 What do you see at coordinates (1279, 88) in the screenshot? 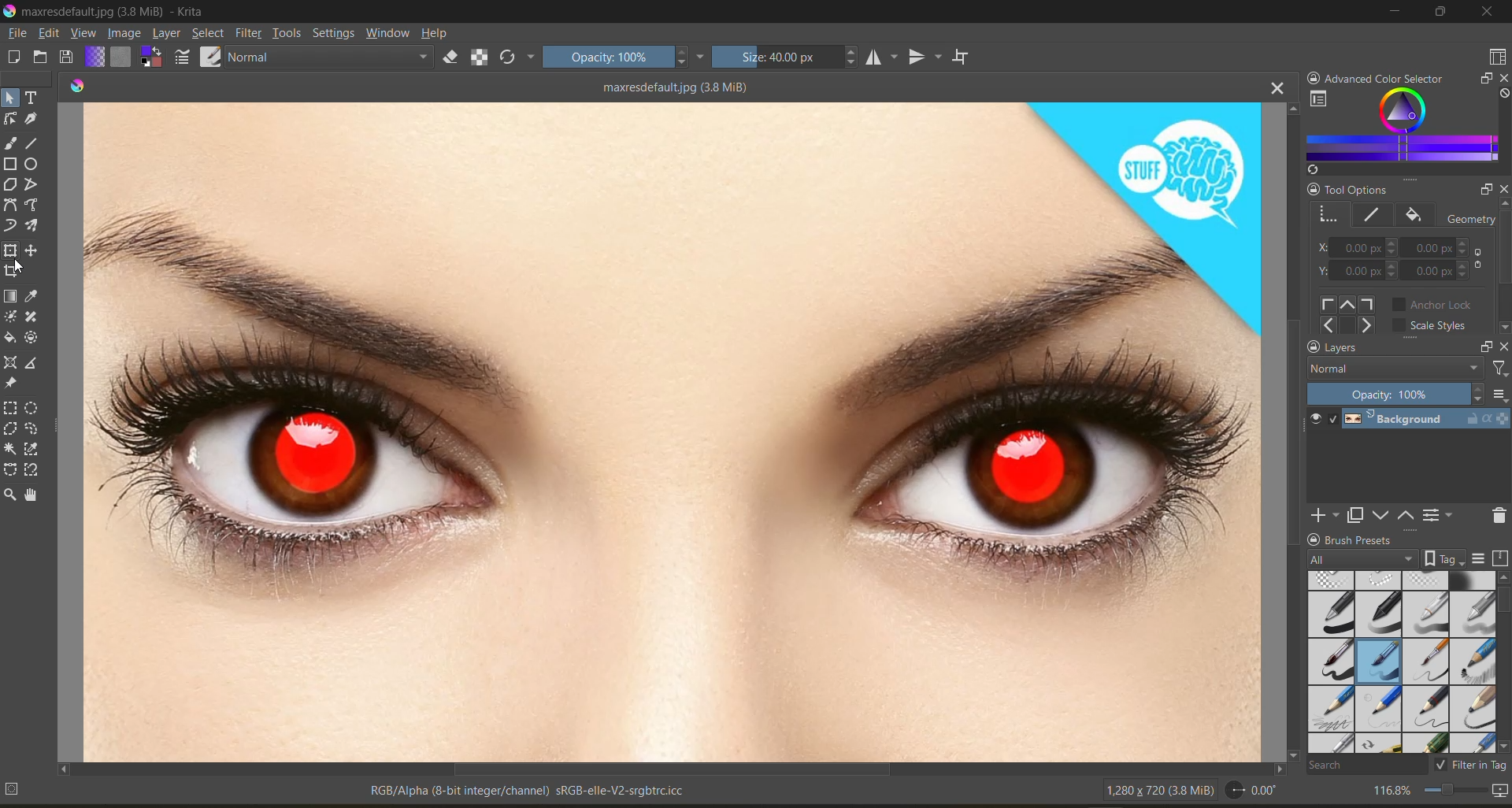
I see `close tab` at bounding box center [1279, 88].